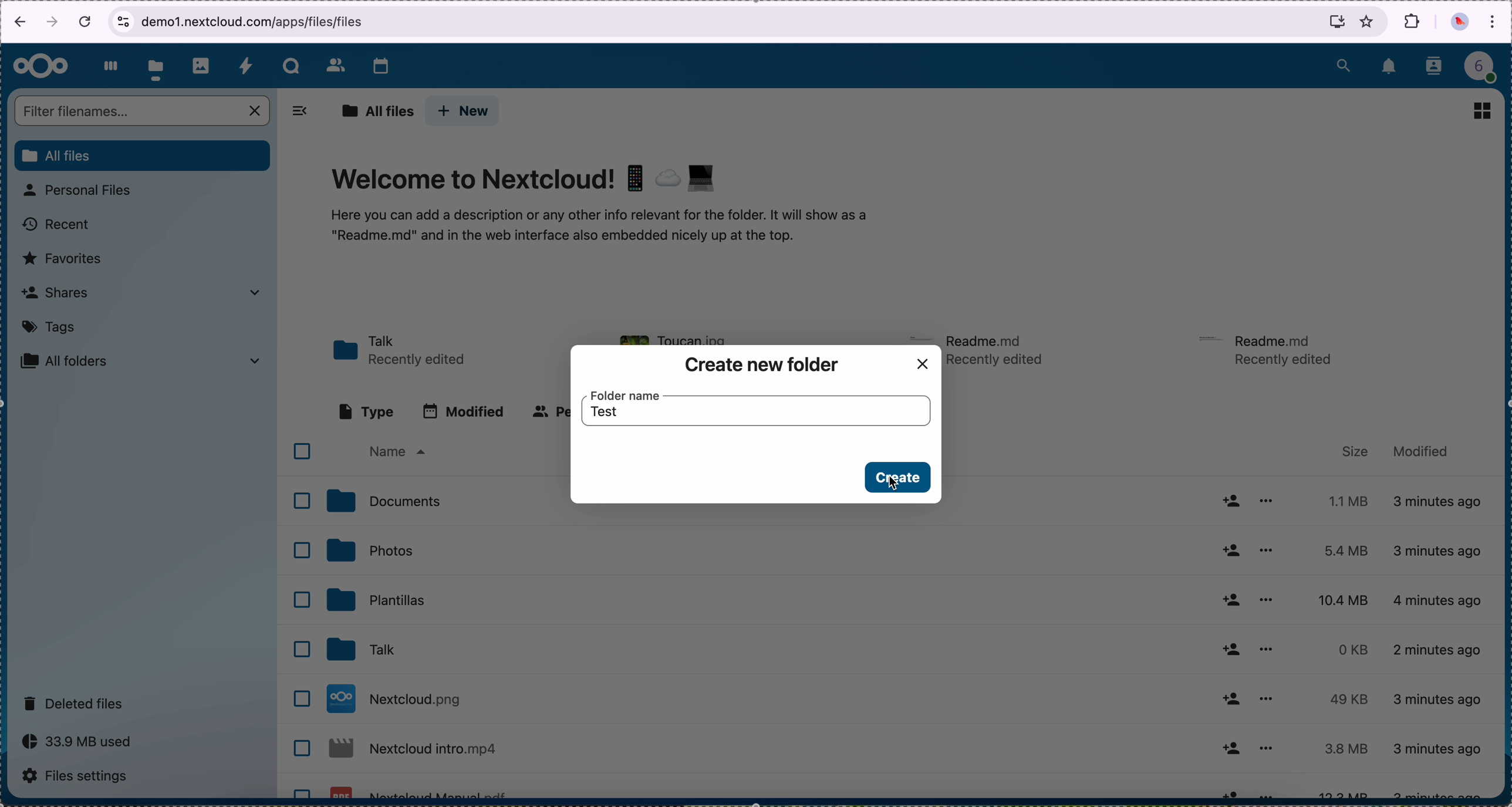  Describe the element at coordinates (53, 23) in the screenshot. I see `navigate foward` at that location.